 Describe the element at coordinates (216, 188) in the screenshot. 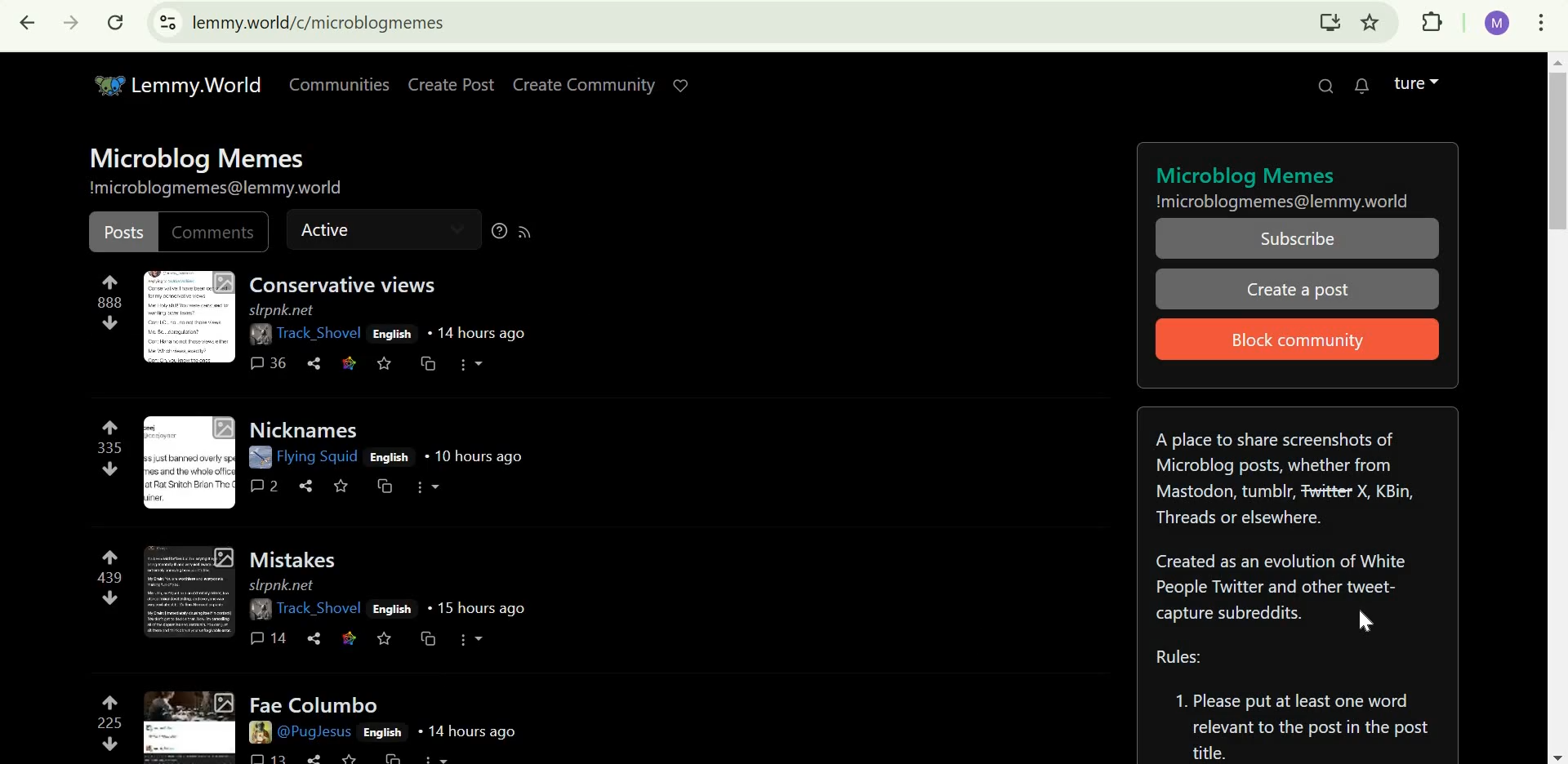

I see `!microblogmemes@lemmy.world` at that location.